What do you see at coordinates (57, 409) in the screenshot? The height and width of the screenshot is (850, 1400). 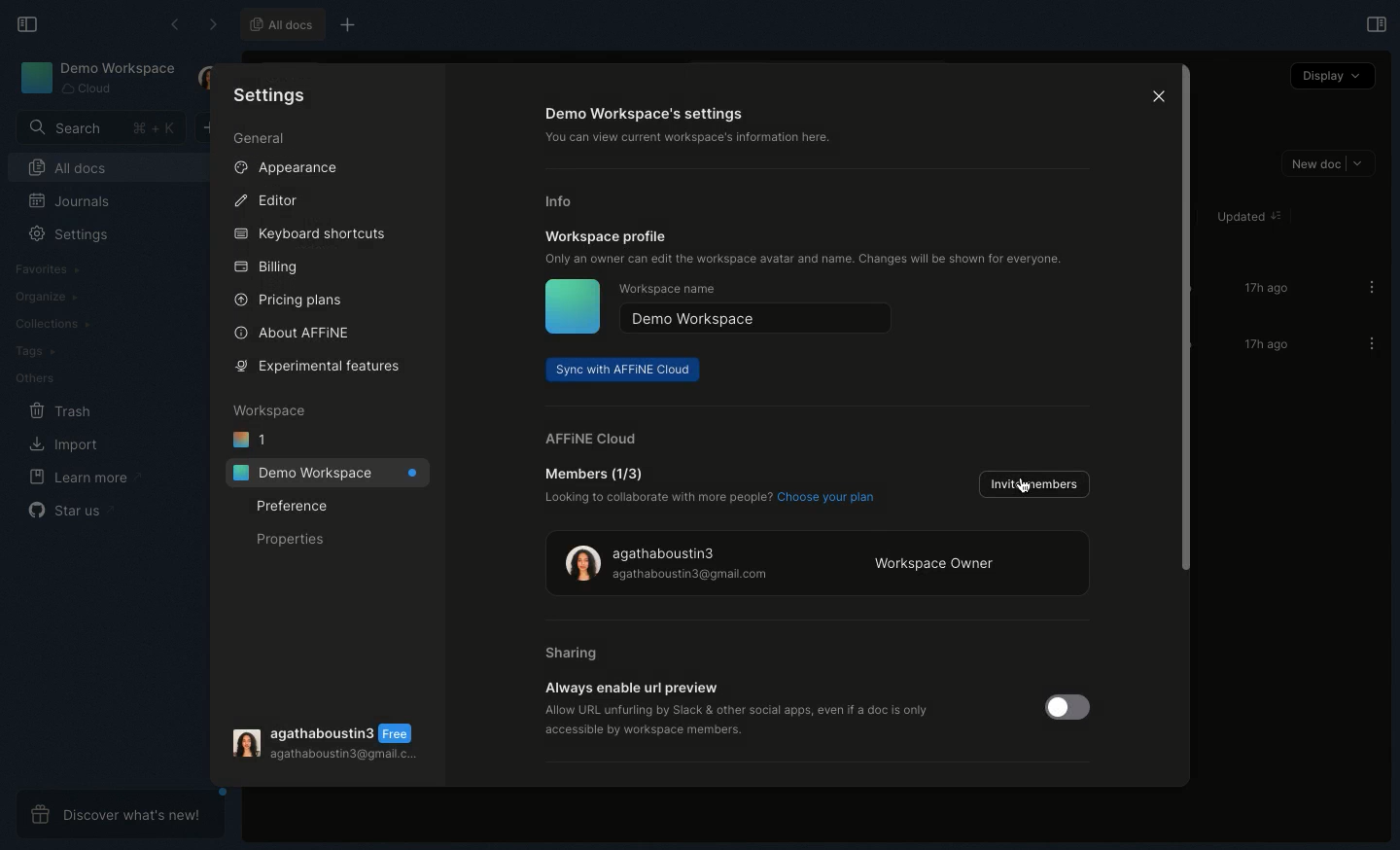 I see `Trash` at bounding box center [57, 409].